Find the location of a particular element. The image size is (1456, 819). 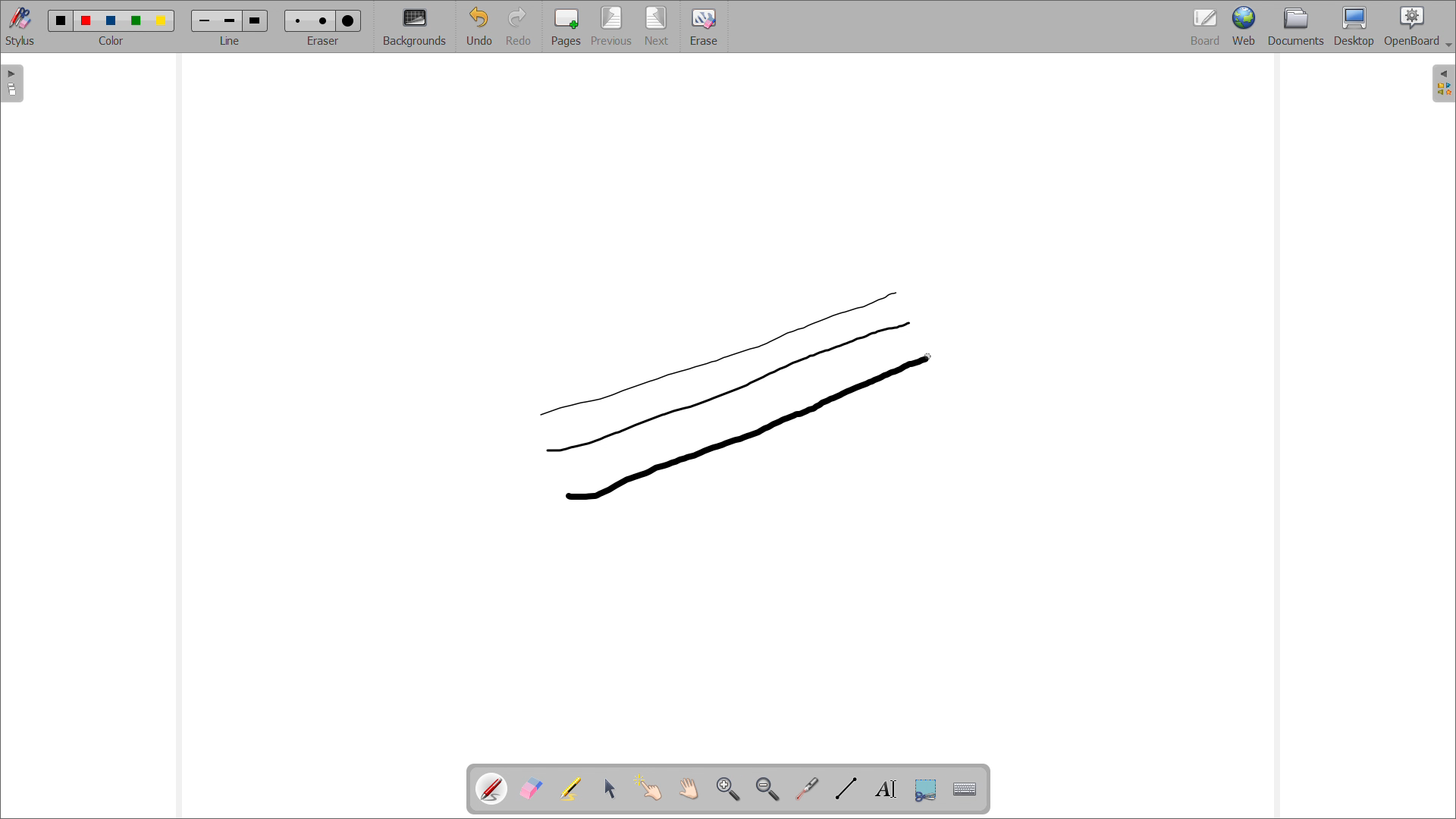

next page is located at coordinates (657, 27).